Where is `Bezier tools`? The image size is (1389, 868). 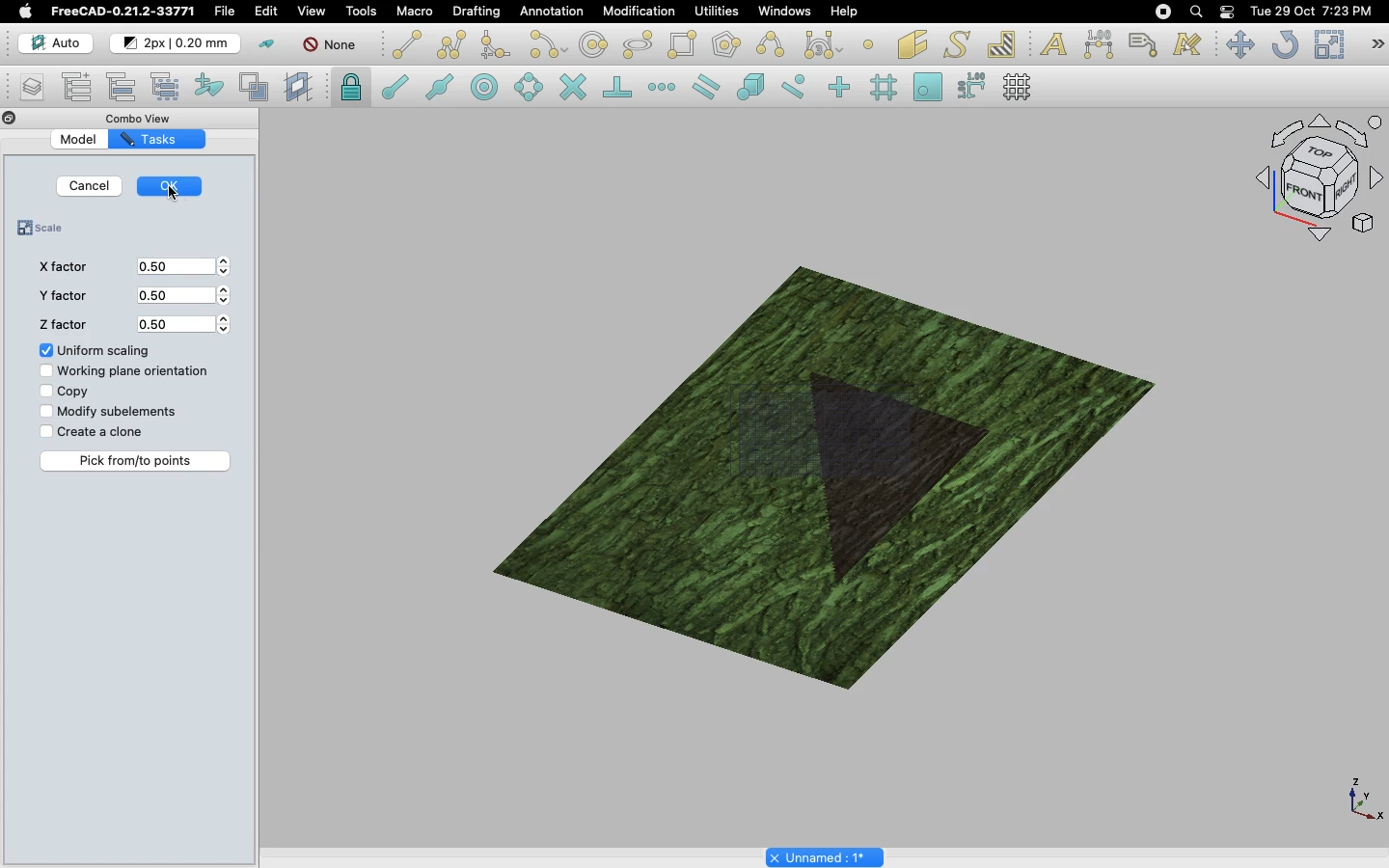
Bezier tools is located at coordinates (826, 44).